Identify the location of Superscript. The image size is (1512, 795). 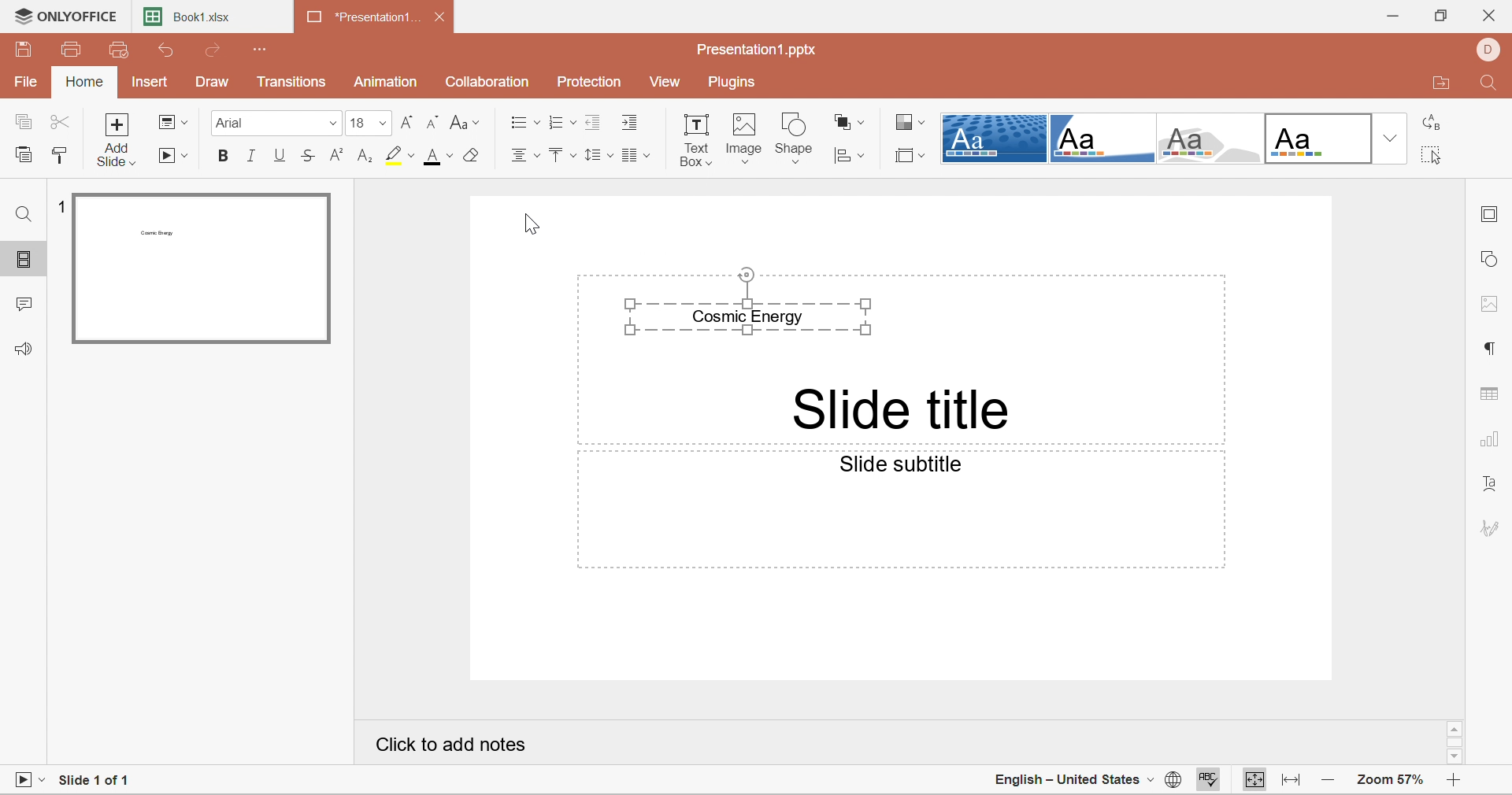
(337, 156).